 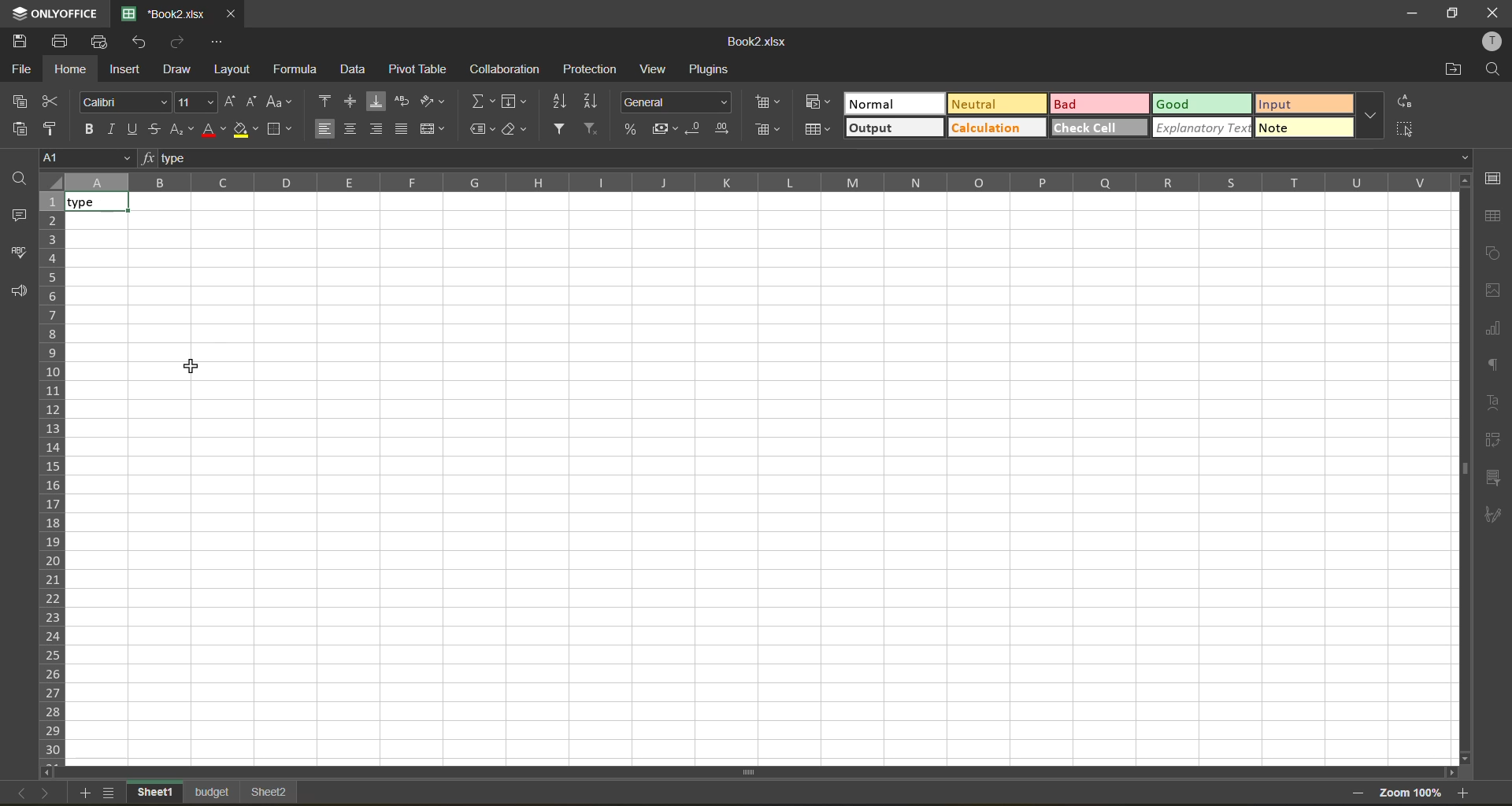 What do you see at coordinates (594, 67) in the screenshot?
I see `protection` at bounding box center [594, 67].